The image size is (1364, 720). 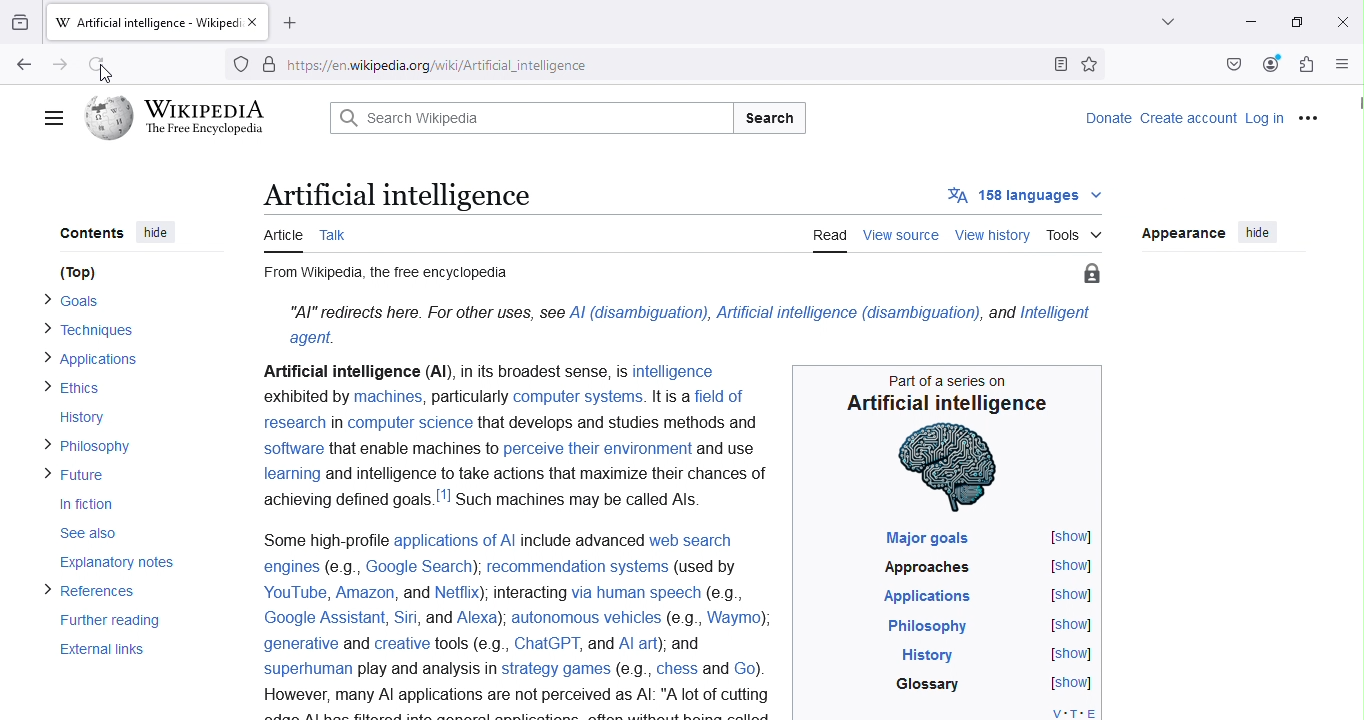 What do you see at coordinates (900, 237) in the screenshot?
I see `View source` at bounding box center [900, 237].